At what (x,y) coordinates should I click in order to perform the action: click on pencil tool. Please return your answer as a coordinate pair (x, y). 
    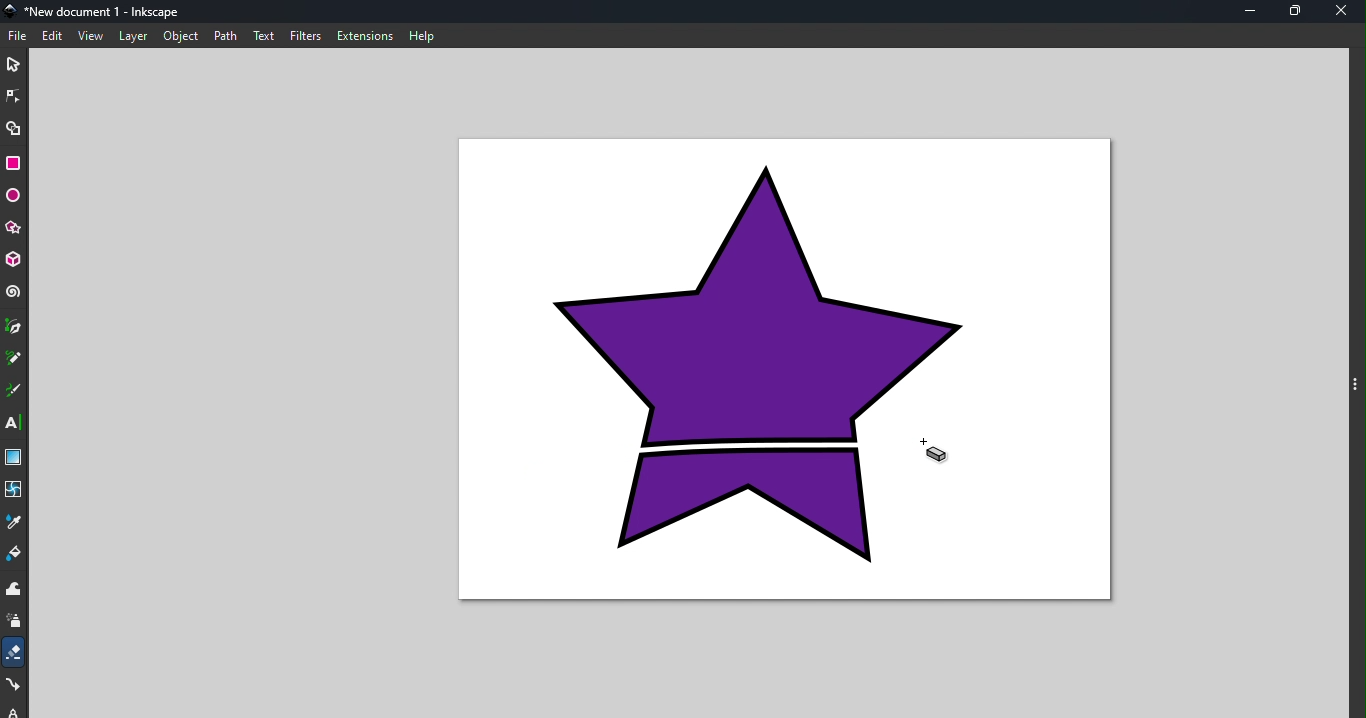
    Looking at the image, I should click on (14, 359).